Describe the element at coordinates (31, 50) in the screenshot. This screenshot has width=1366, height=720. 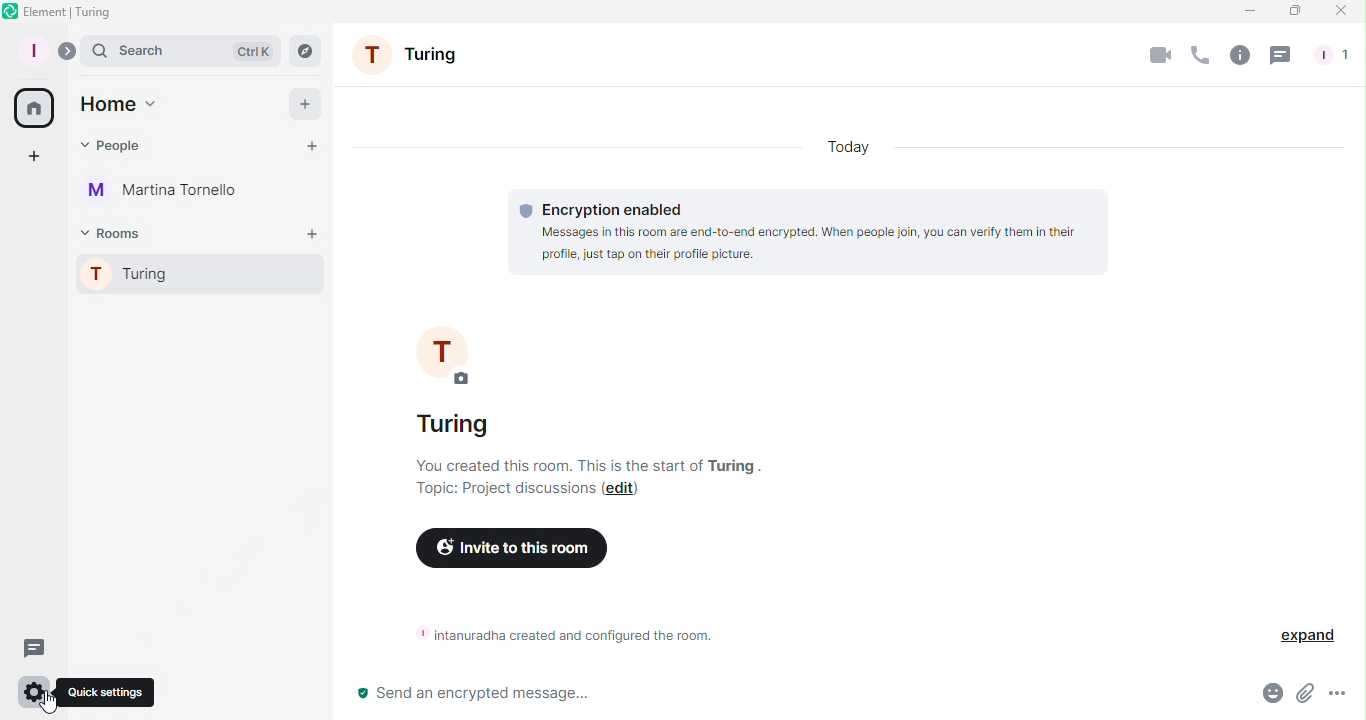
I see `Profile` at that location.